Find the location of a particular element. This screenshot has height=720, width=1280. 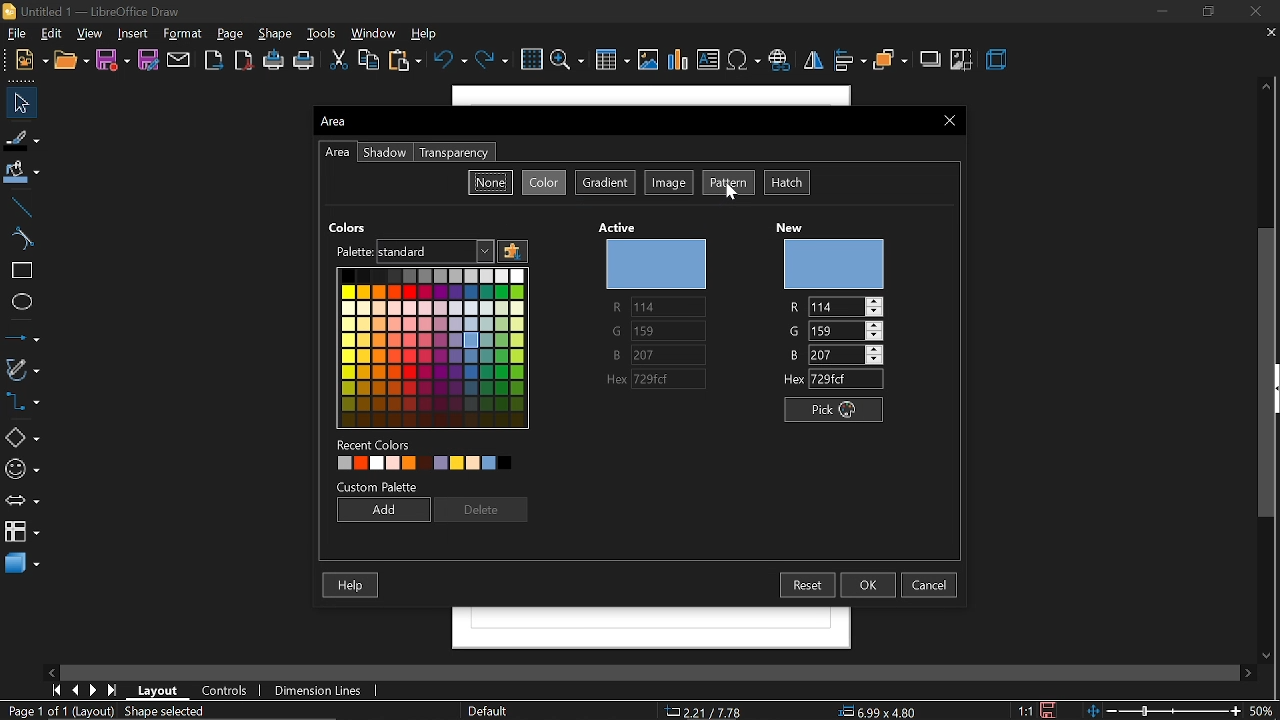

Delete is located at coordinates (483, 510).